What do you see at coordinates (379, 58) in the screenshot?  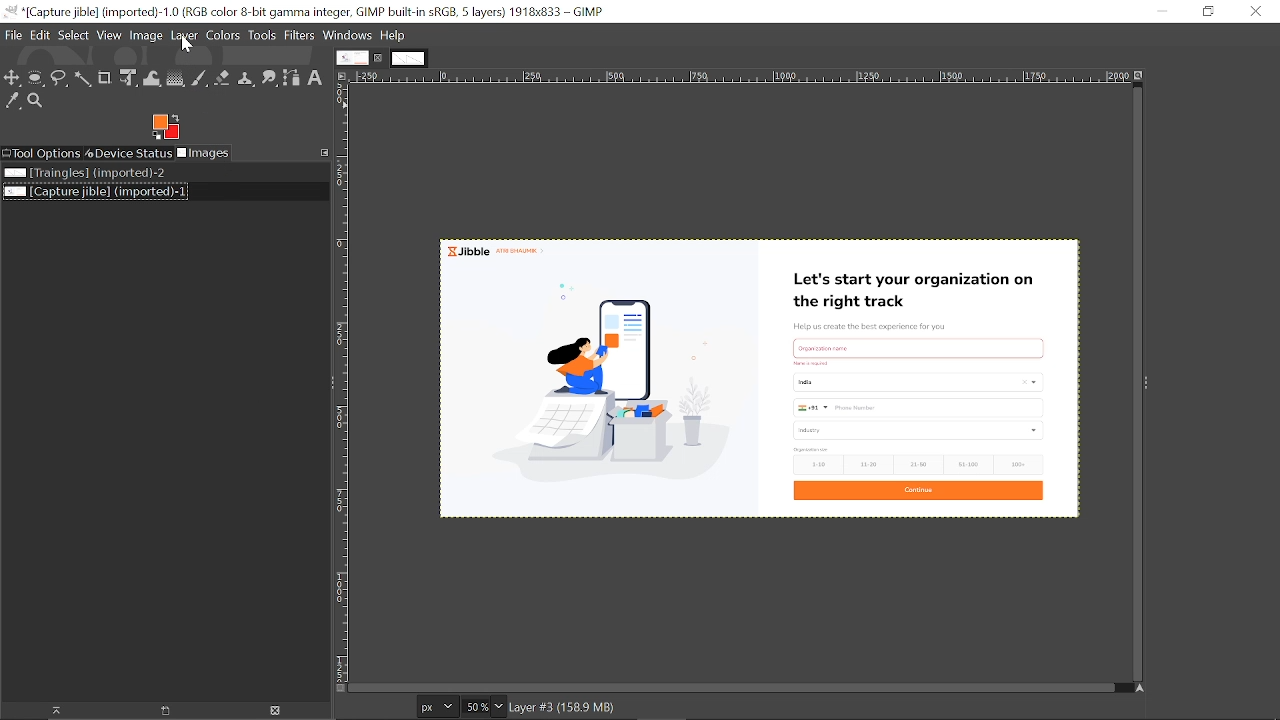 I see `Close current tab` at bounding box center [379, 58].